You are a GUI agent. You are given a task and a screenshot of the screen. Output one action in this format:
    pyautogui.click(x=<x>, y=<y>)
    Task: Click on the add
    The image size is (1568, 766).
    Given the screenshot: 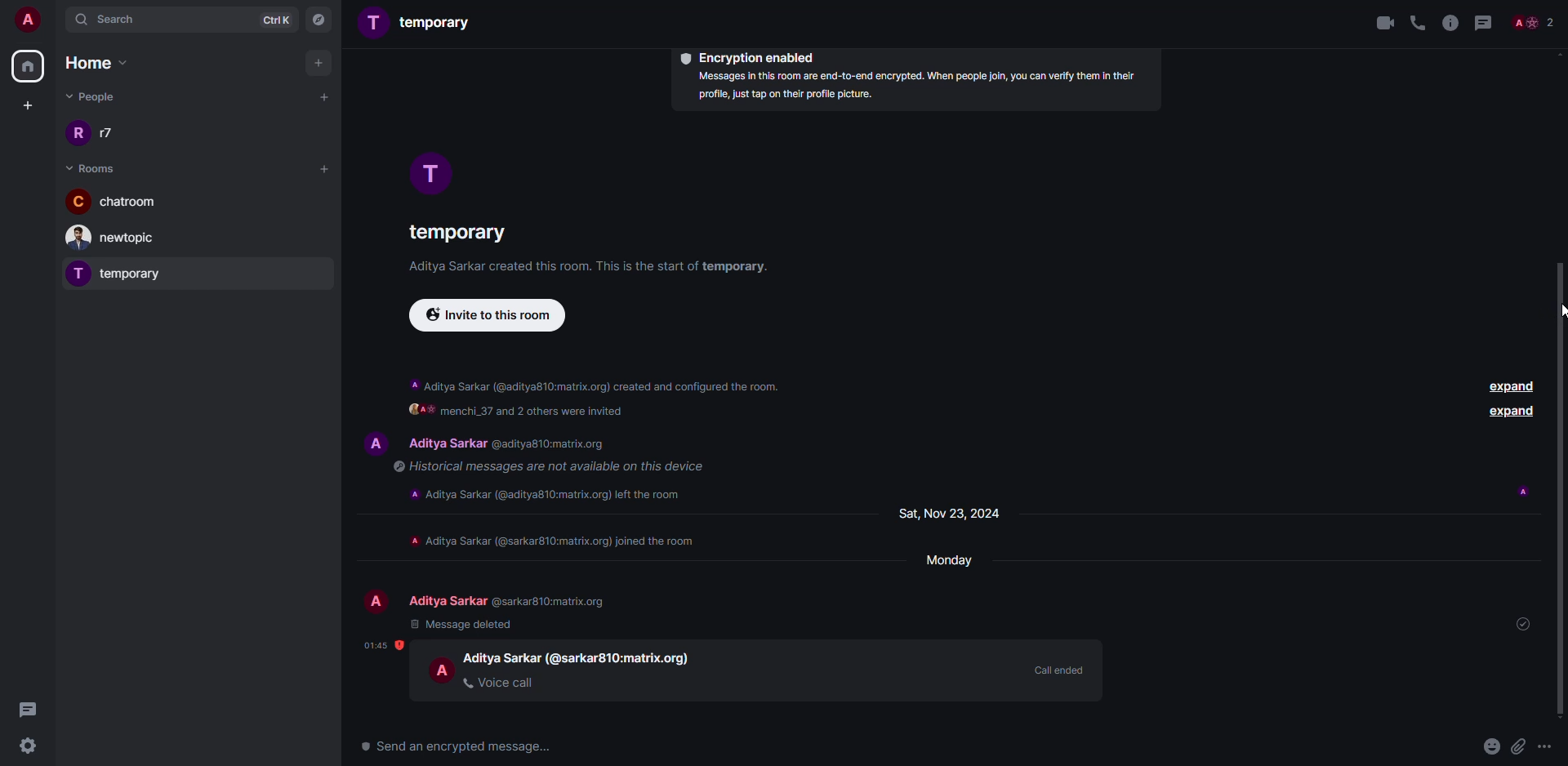 What is the action you would take?
    pyautogui.click(x=320, y=62)
    